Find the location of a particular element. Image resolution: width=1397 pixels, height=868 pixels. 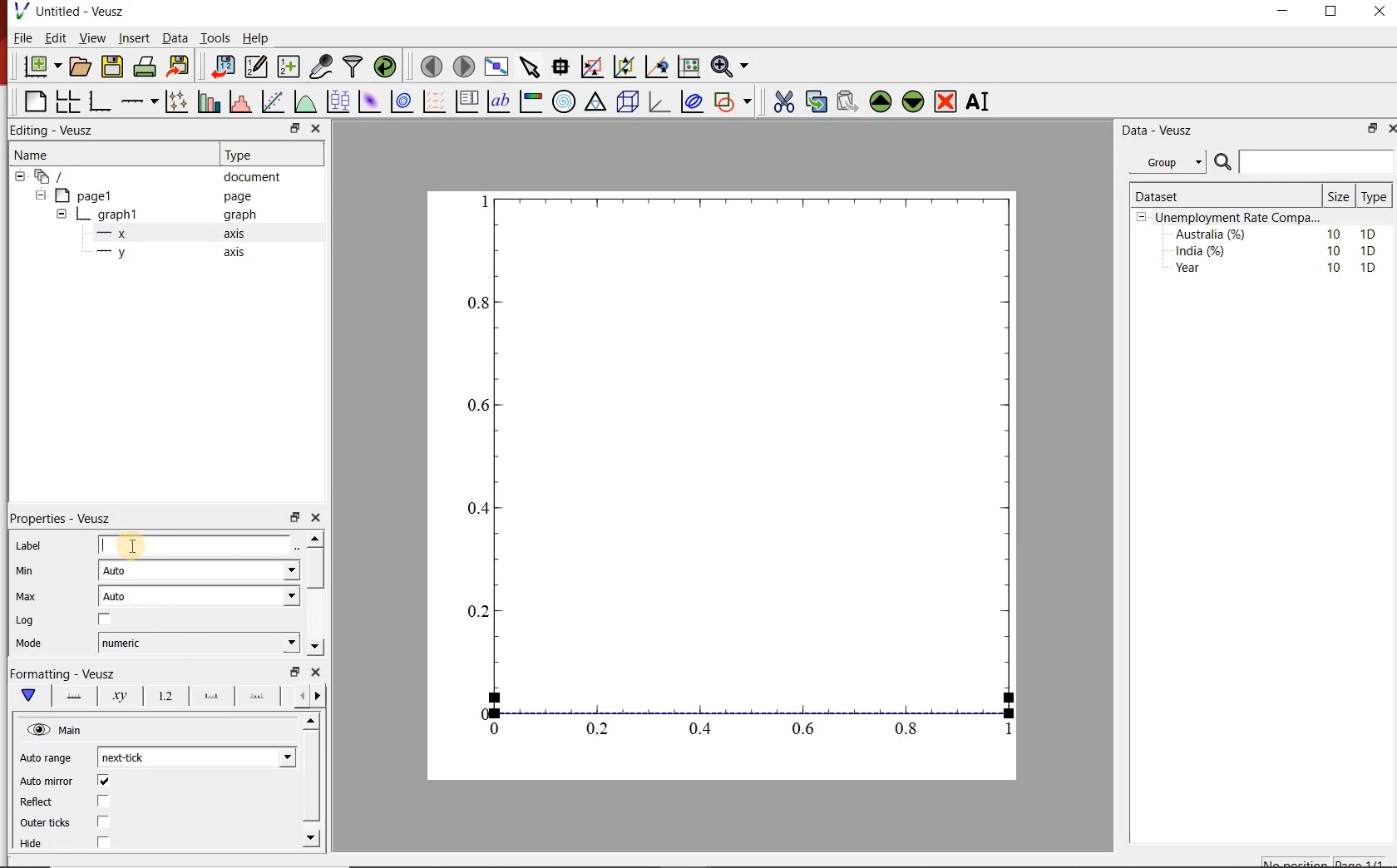

Edit is located at coordinates (53, 37).